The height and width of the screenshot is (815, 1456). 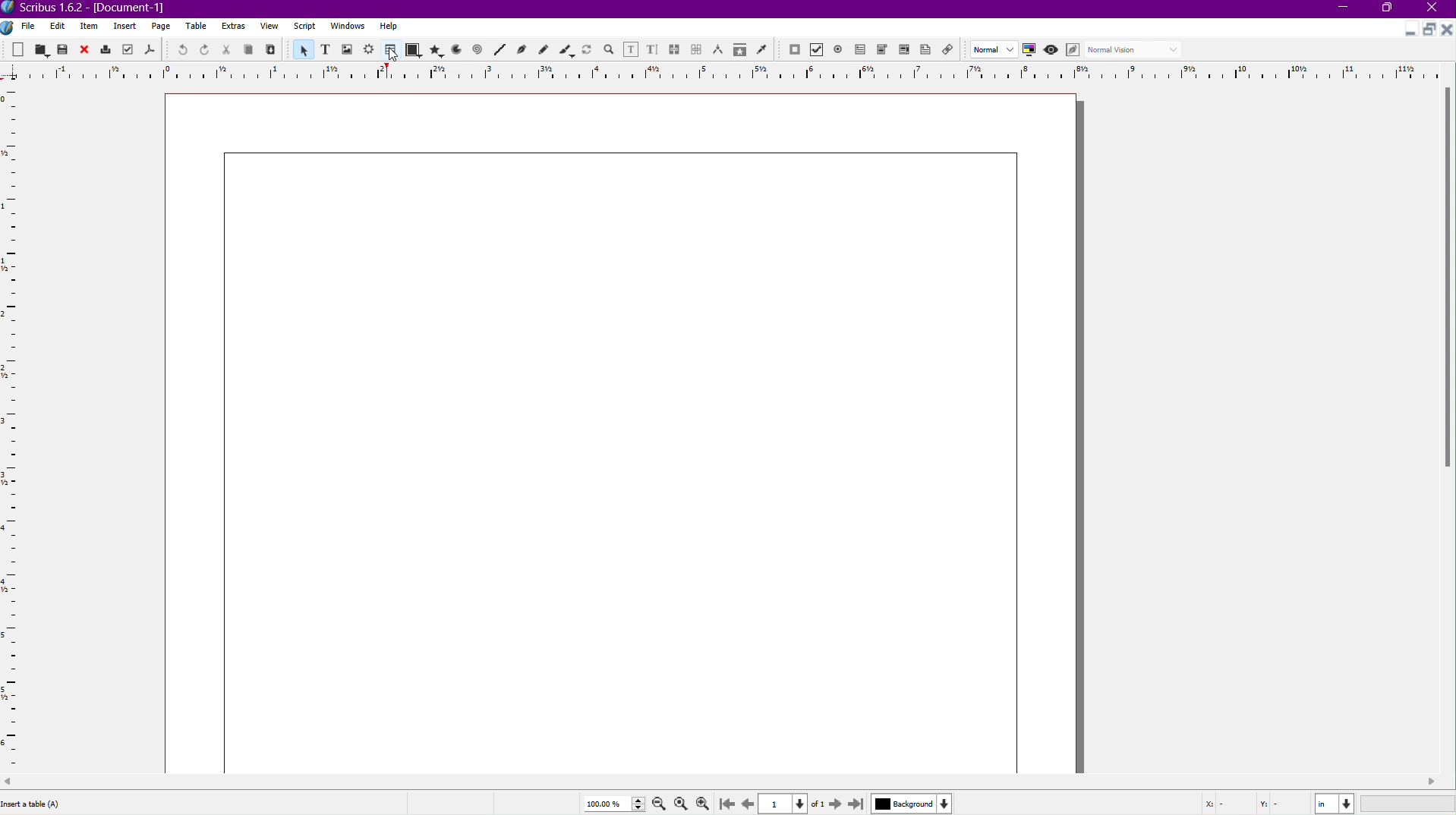 What do you see at coordinates (348, 49) in the screenshot?
I see `Image Frame` at bounding box center [348, 49].